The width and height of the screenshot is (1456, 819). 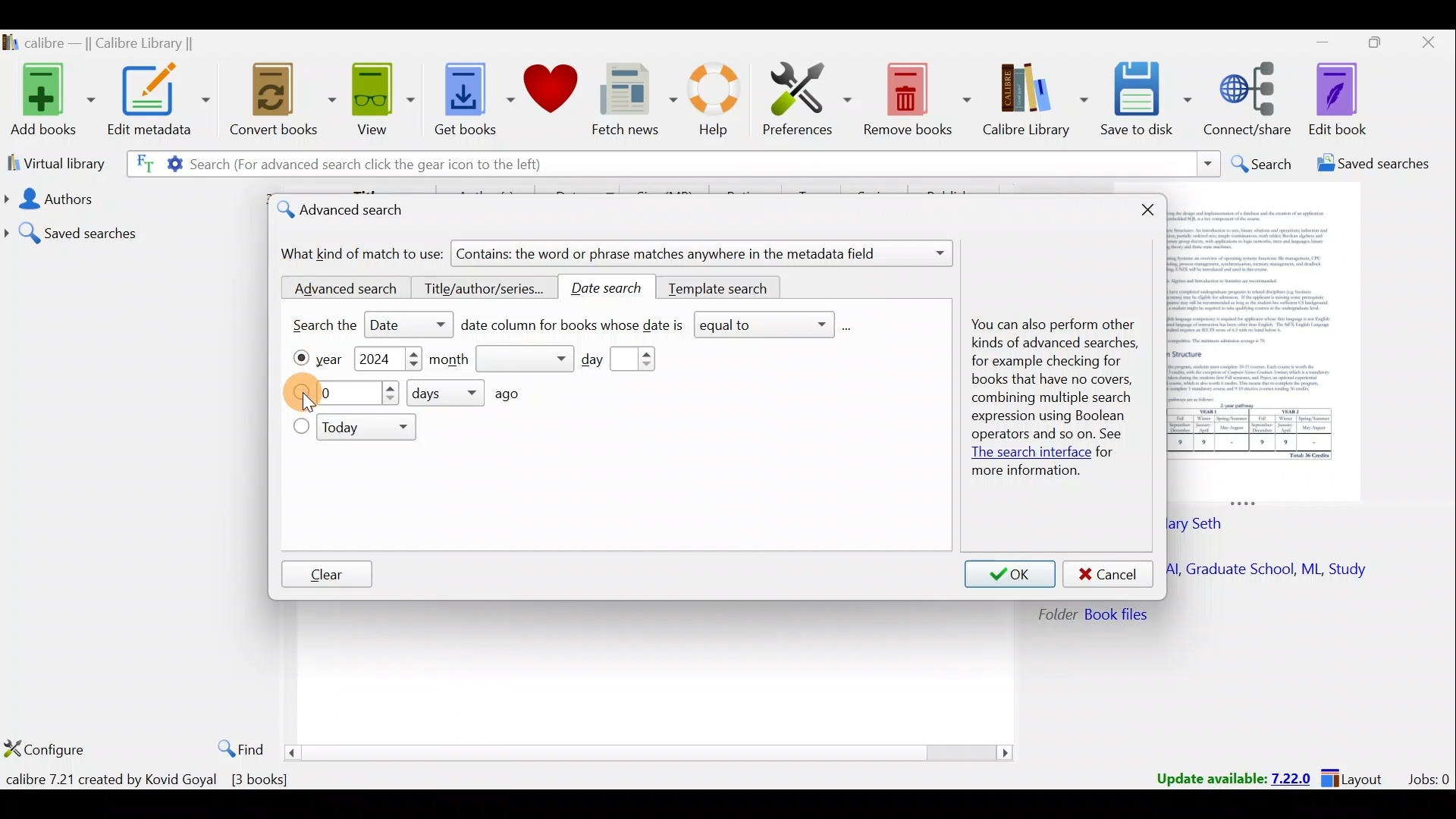 I want to click on Jobs:0, so click(x=1428, y=778).